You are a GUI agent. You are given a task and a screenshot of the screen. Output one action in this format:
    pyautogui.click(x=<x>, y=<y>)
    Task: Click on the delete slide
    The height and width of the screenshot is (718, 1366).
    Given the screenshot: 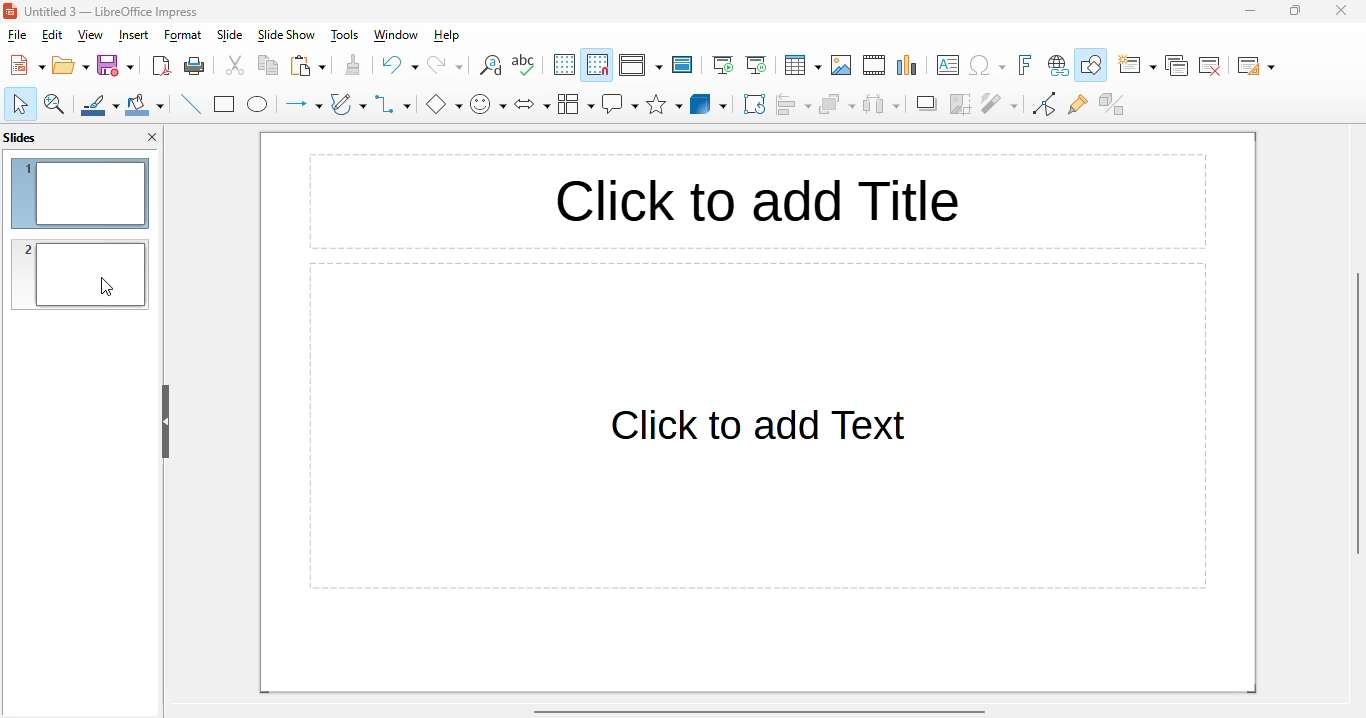 What is the action you would take?
    pyautogui.click(x=1210, y=66)
    